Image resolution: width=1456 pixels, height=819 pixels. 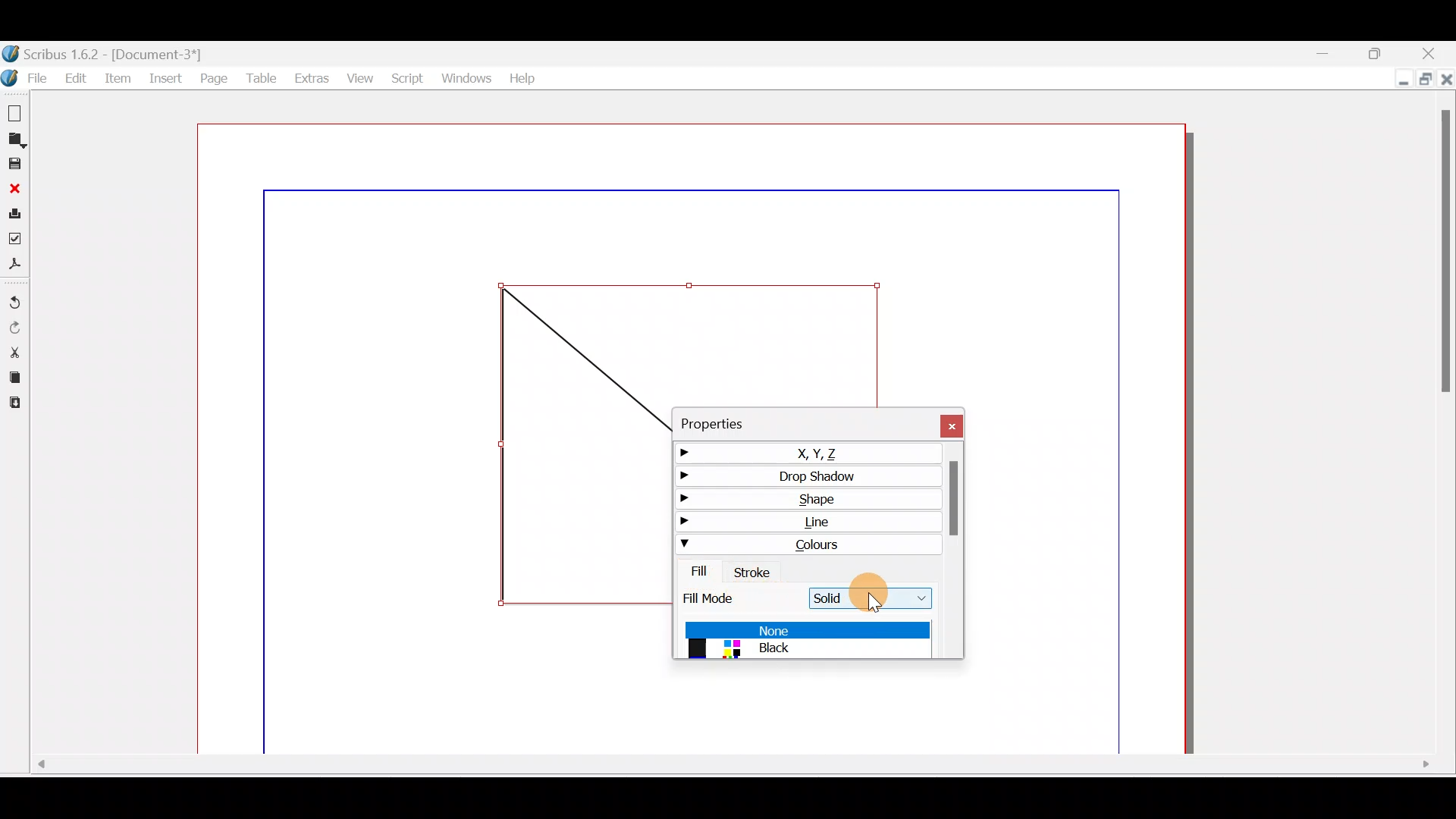 What do you see at coordinates (954, 554) in the screenshot?
I see `Scroll bar` at bounding box center [954, 554].